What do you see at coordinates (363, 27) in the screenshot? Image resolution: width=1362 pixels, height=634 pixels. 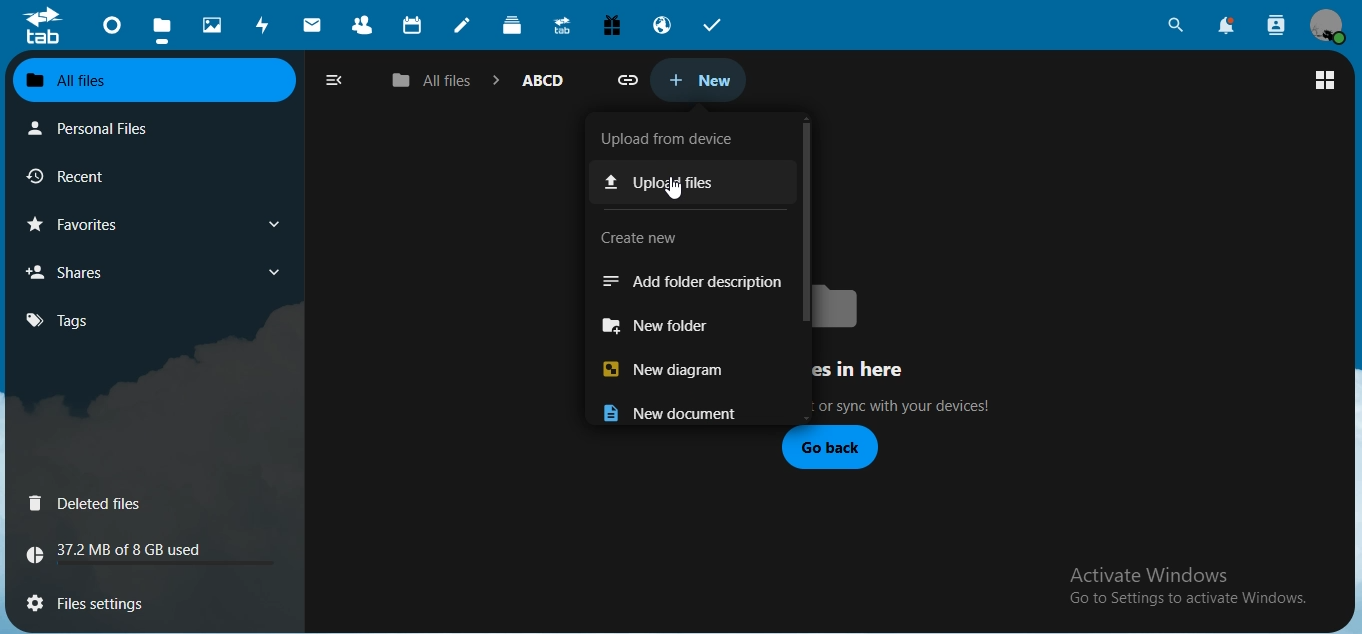 I see `contacts` at bounding box center [363, 27].